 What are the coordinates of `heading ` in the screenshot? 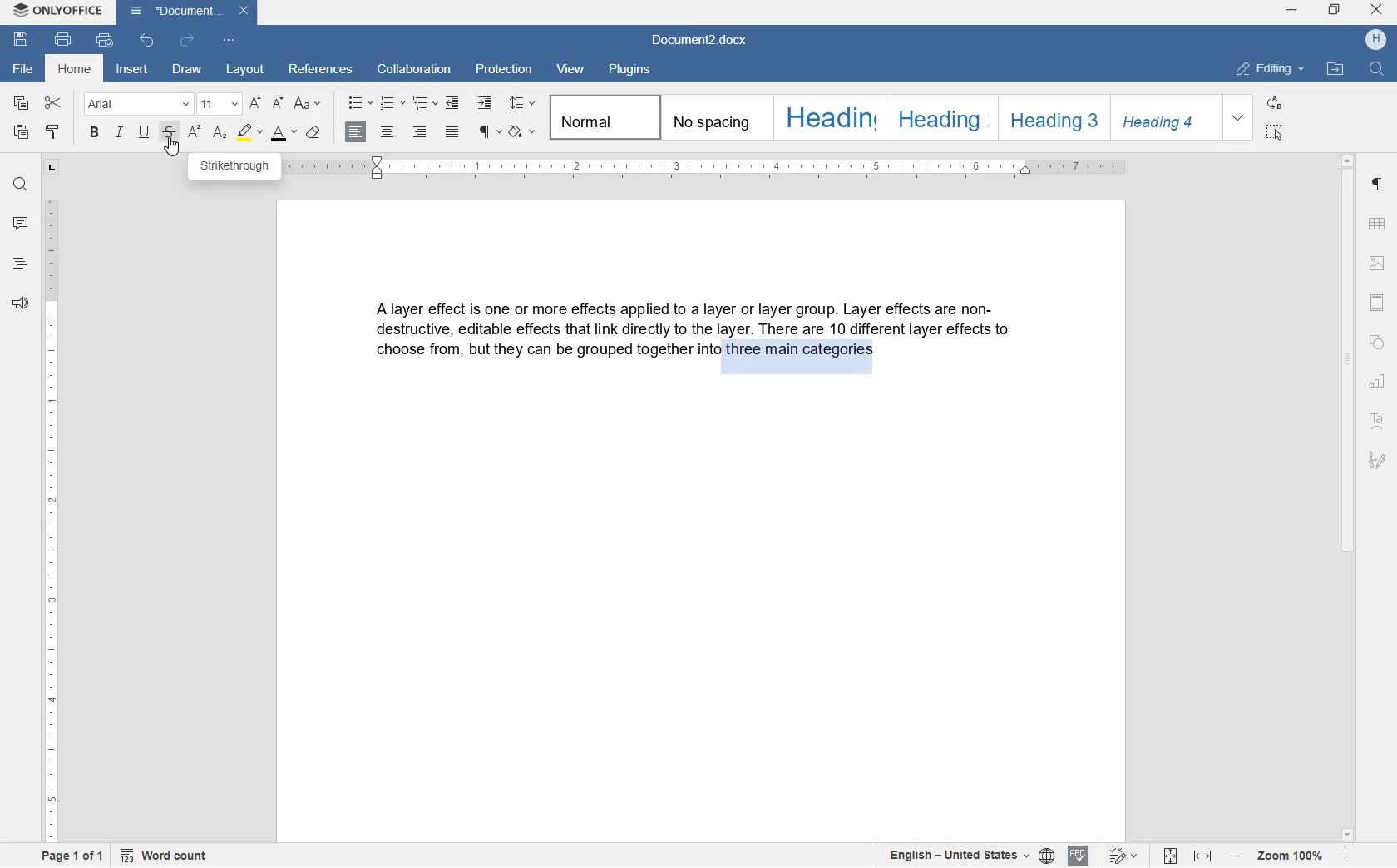 It's located at (18, 264).